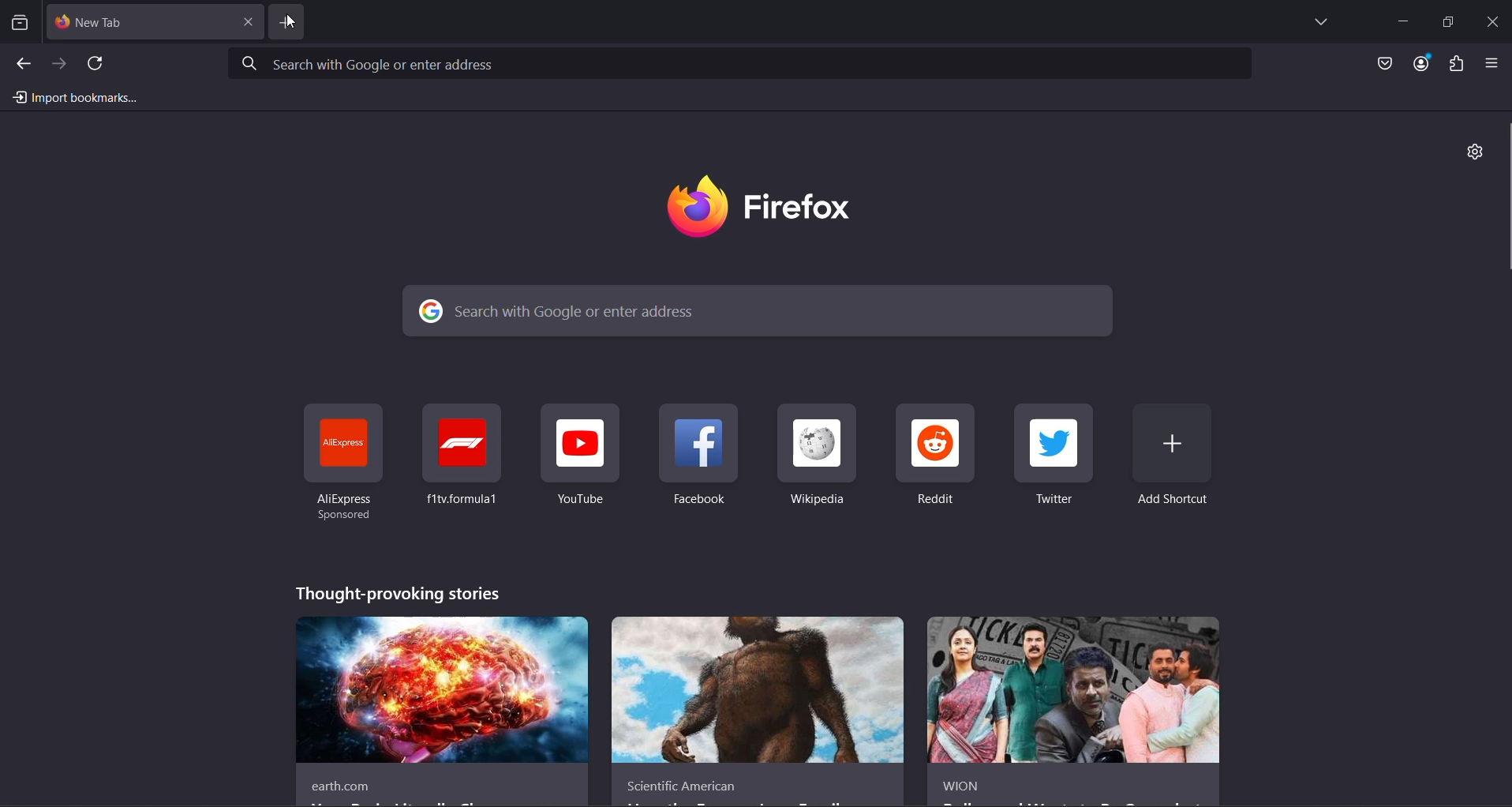 Image resolution: width=1512 pixels, height=807 pixels. Describe the element at coordinates (755, 712) in the screenshot. I see `story` at that location.